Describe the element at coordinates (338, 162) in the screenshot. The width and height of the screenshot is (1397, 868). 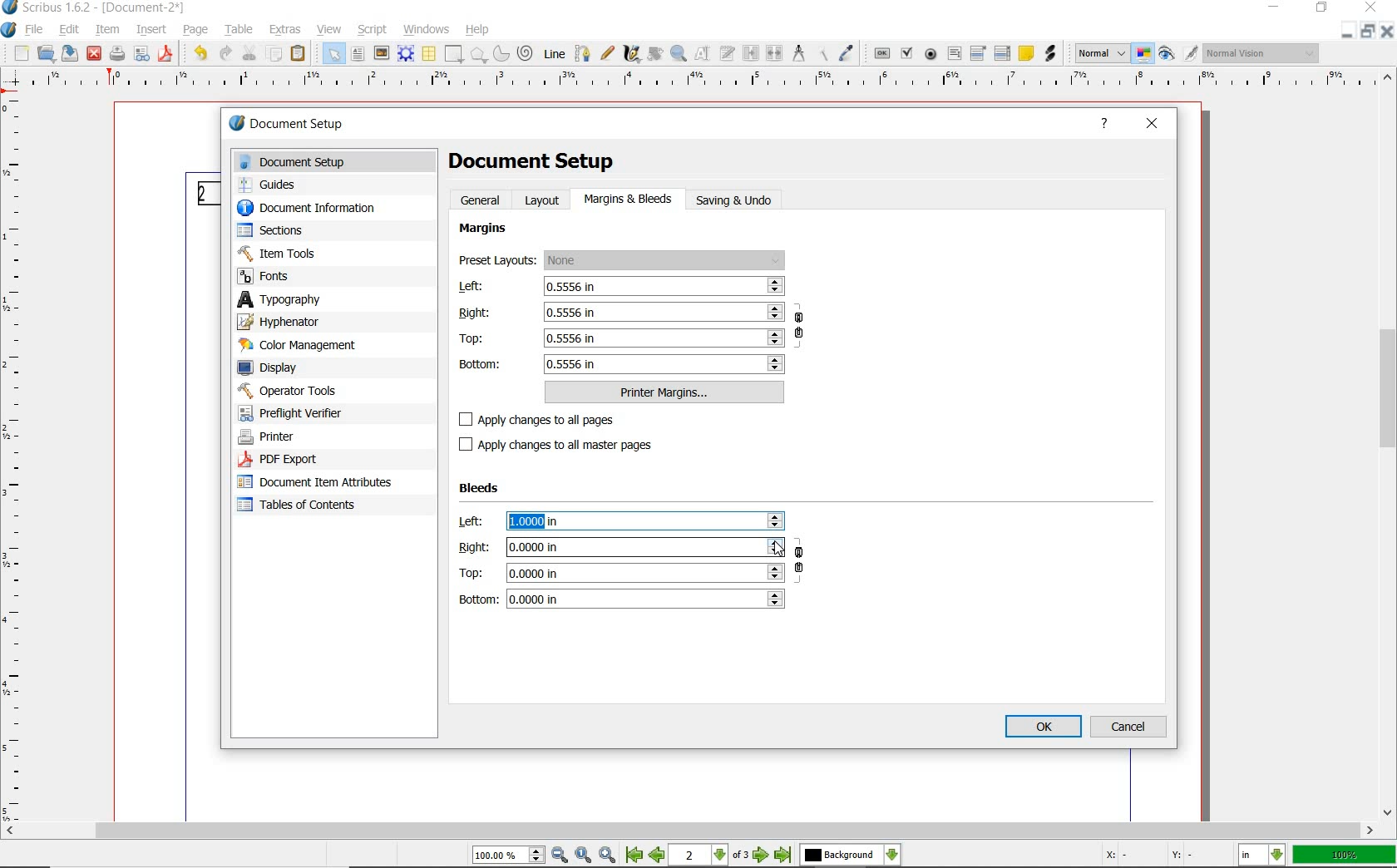
I see `document setup` at that location.